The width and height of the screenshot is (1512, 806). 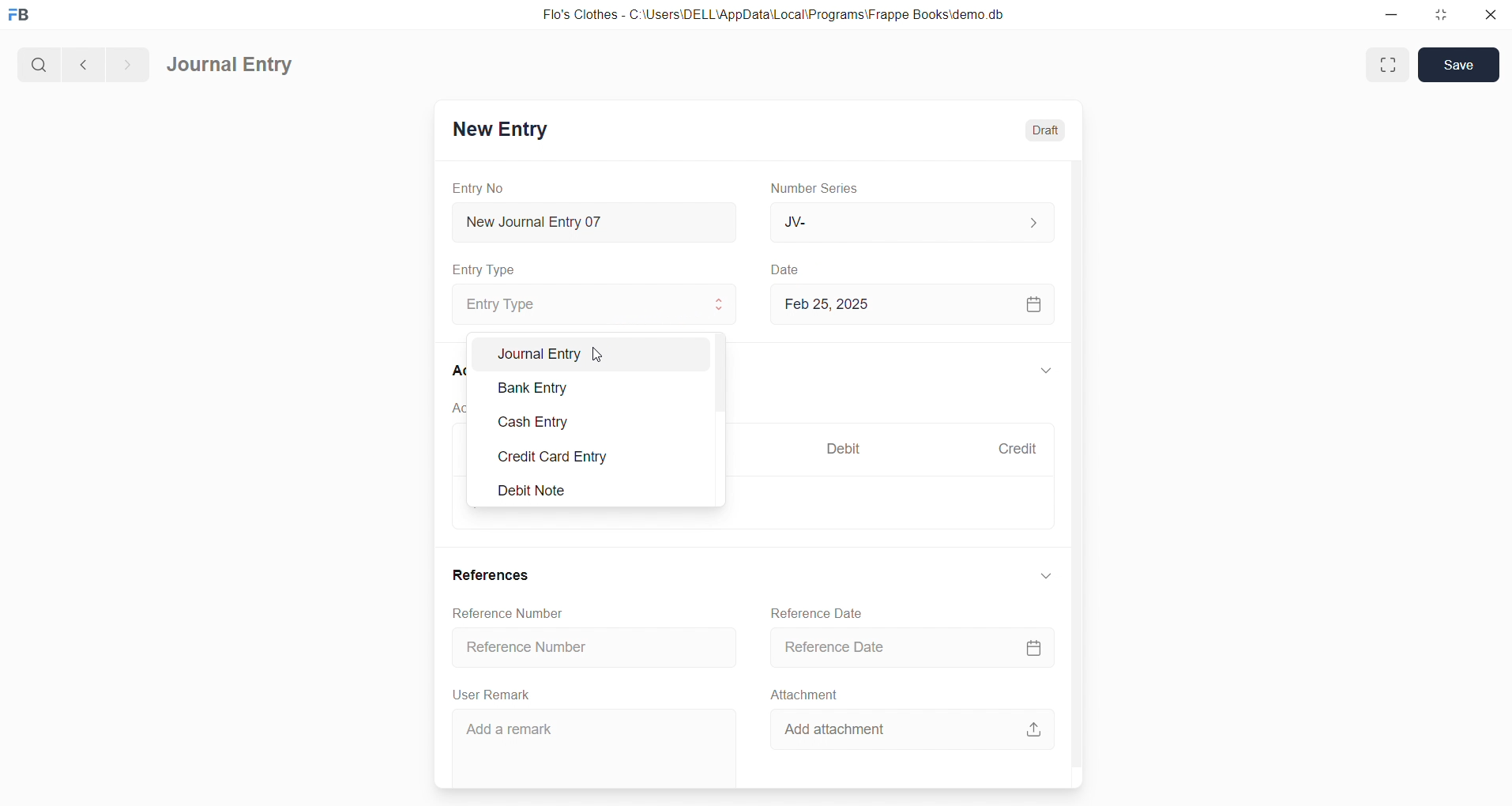 What do you see at coordinates (818, 612) in the screenshot?
I see `Reference Date` at bounding box center [818, 612].